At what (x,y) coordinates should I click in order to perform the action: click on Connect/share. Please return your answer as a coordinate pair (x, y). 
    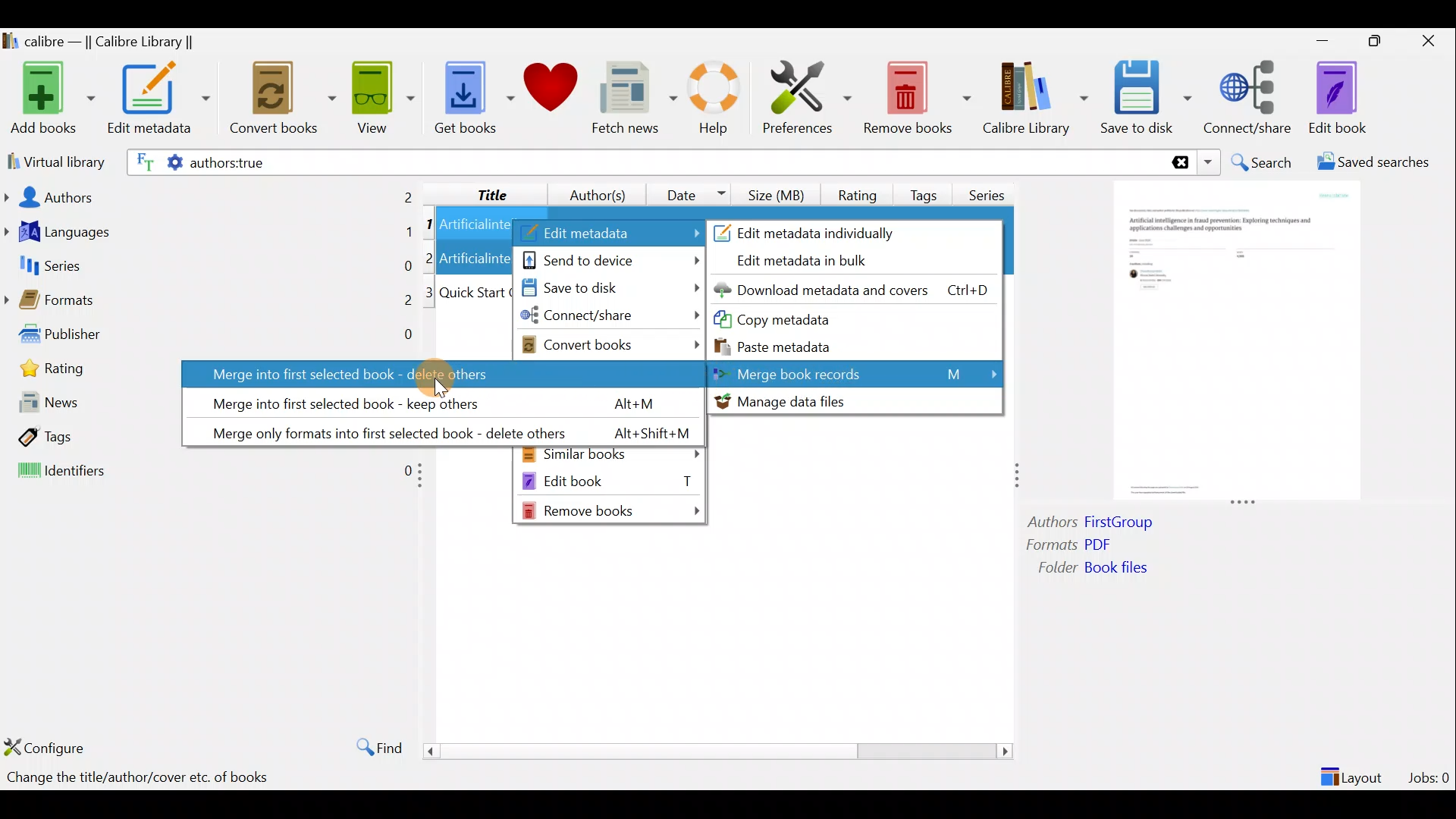
    Looking at the image, I should click on (610, 318).